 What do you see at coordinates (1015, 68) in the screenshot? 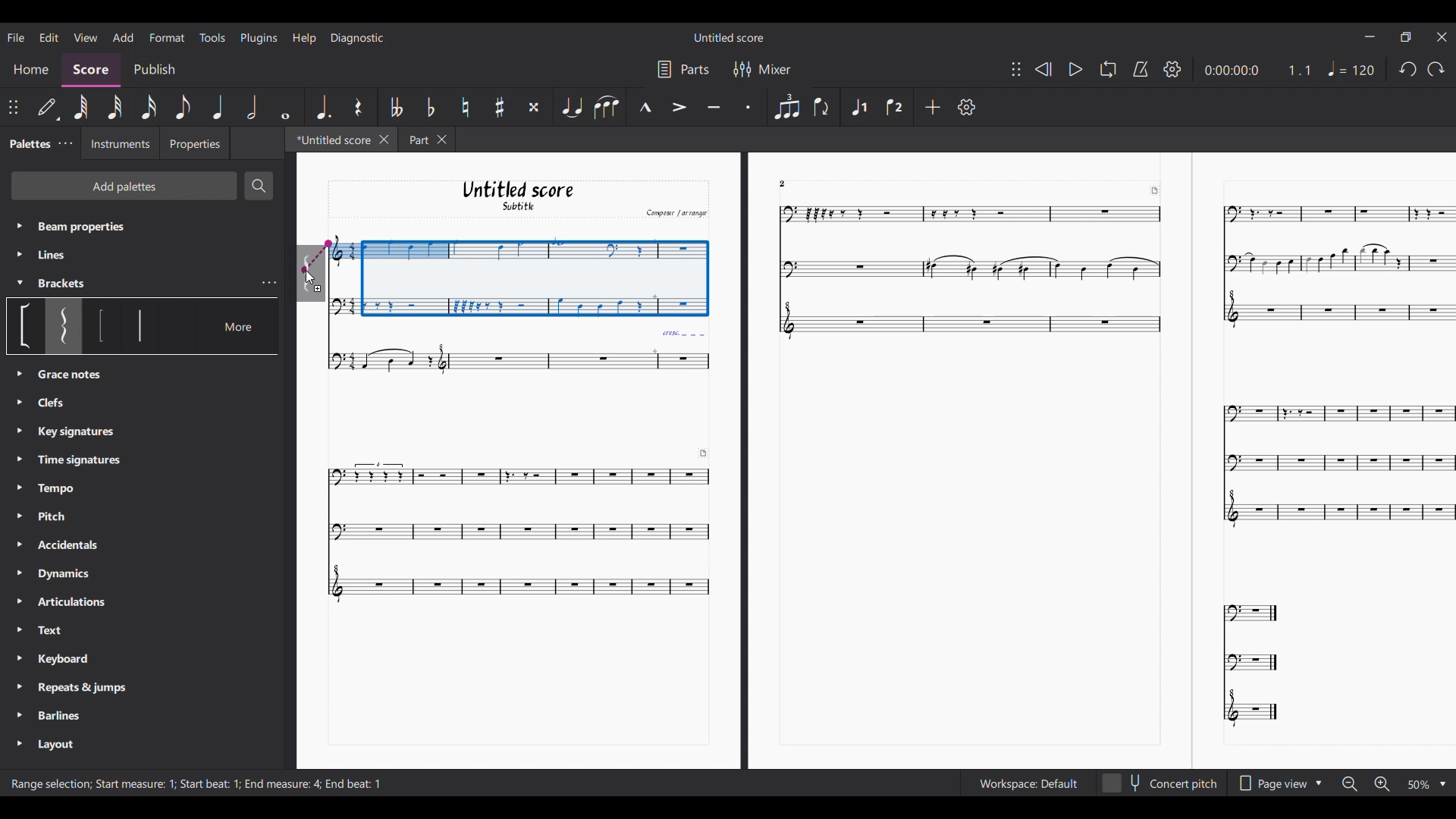
I see `Change position` at bounding box center [1015, 68].